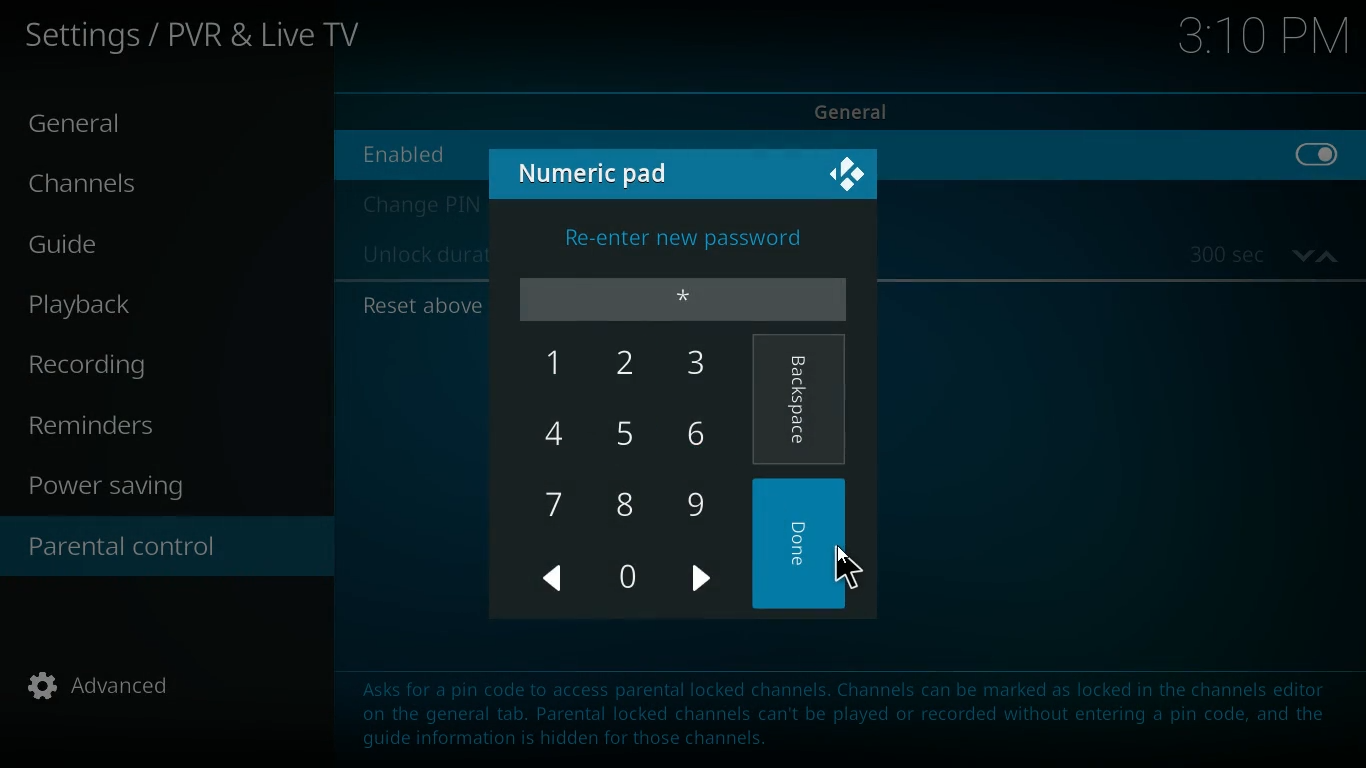 Image resolution: width=1366 pixels, height=768 pixels. I want to click on unlock duration, so click(421, 257).